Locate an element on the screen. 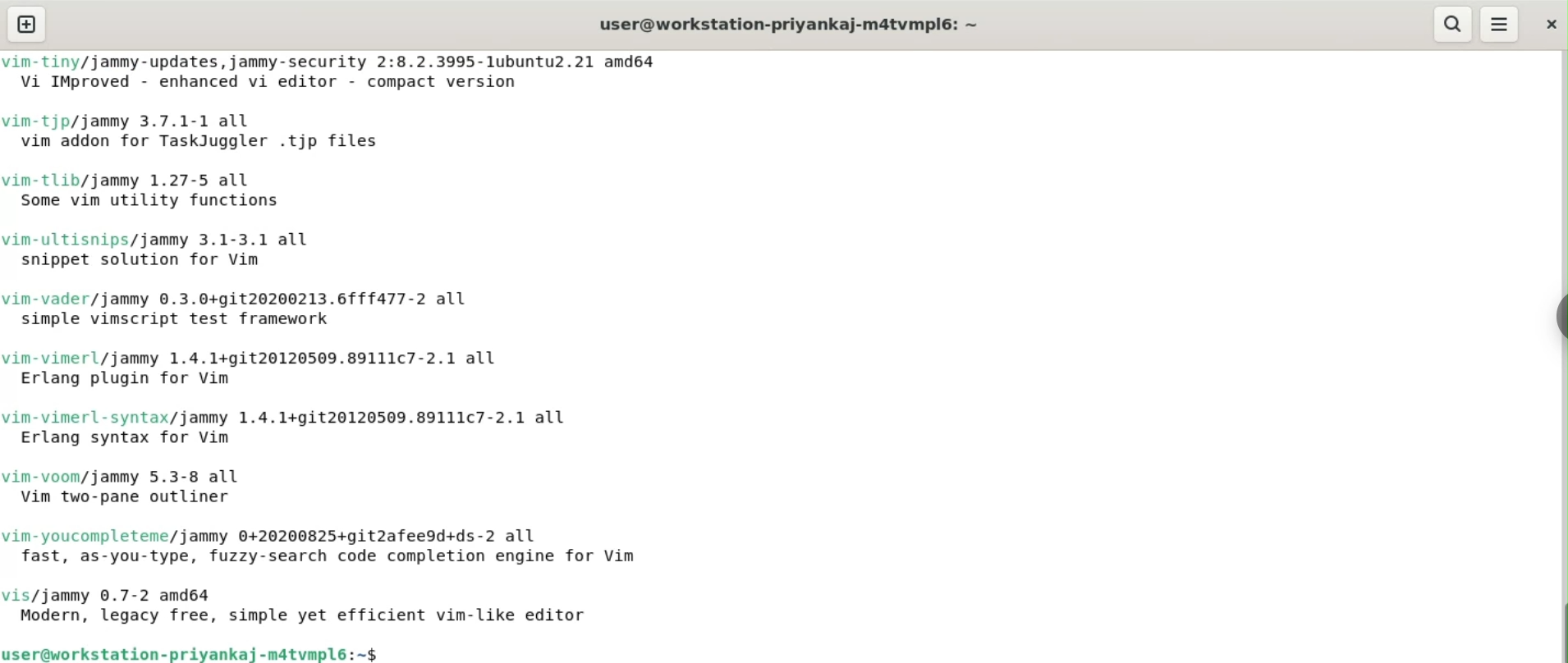  user@workstation-priyankaj-m4tvmpl6: ~ is located at coordinates (784, 24).